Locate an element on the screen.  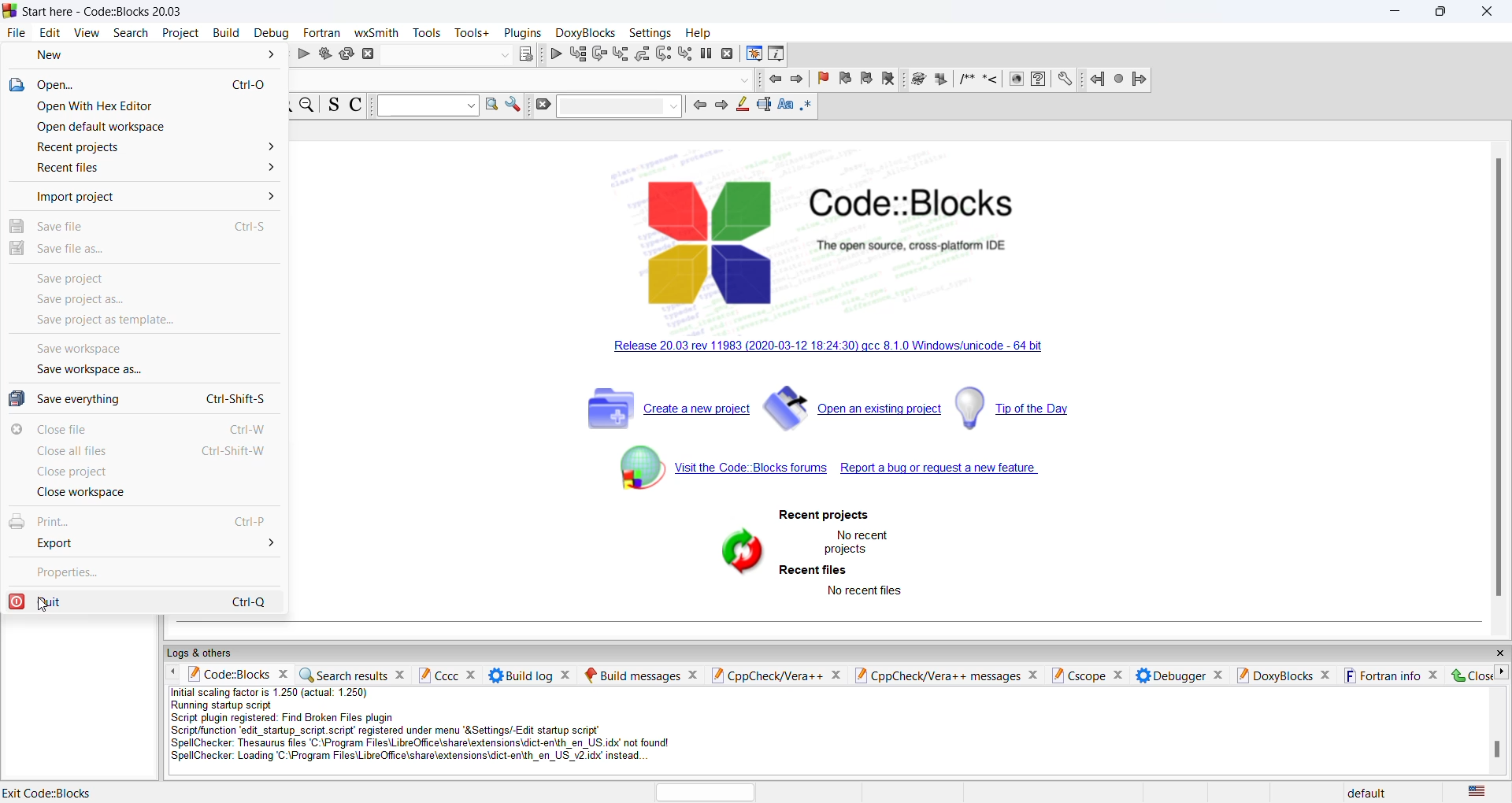
toggle comments is located at coordinates (356, 105).